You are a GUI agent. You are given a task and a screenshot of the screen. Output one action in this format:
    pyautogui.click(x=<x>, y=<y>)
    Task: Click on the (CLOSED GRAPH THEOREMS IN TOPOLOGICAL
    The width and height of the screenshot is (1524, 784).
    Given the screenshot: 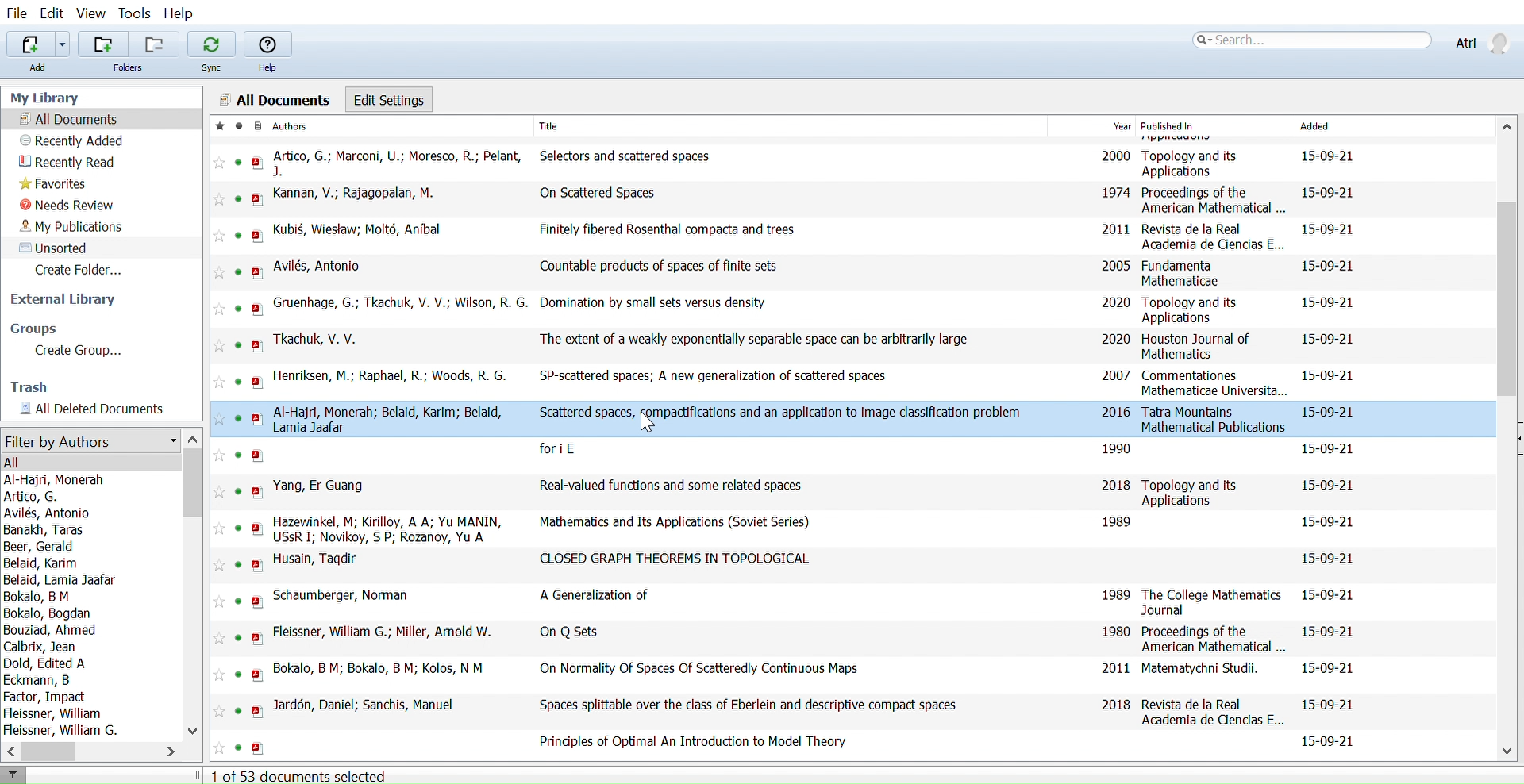 What is the action you would take?
    pyautogui.click(x=672, y=559)
    